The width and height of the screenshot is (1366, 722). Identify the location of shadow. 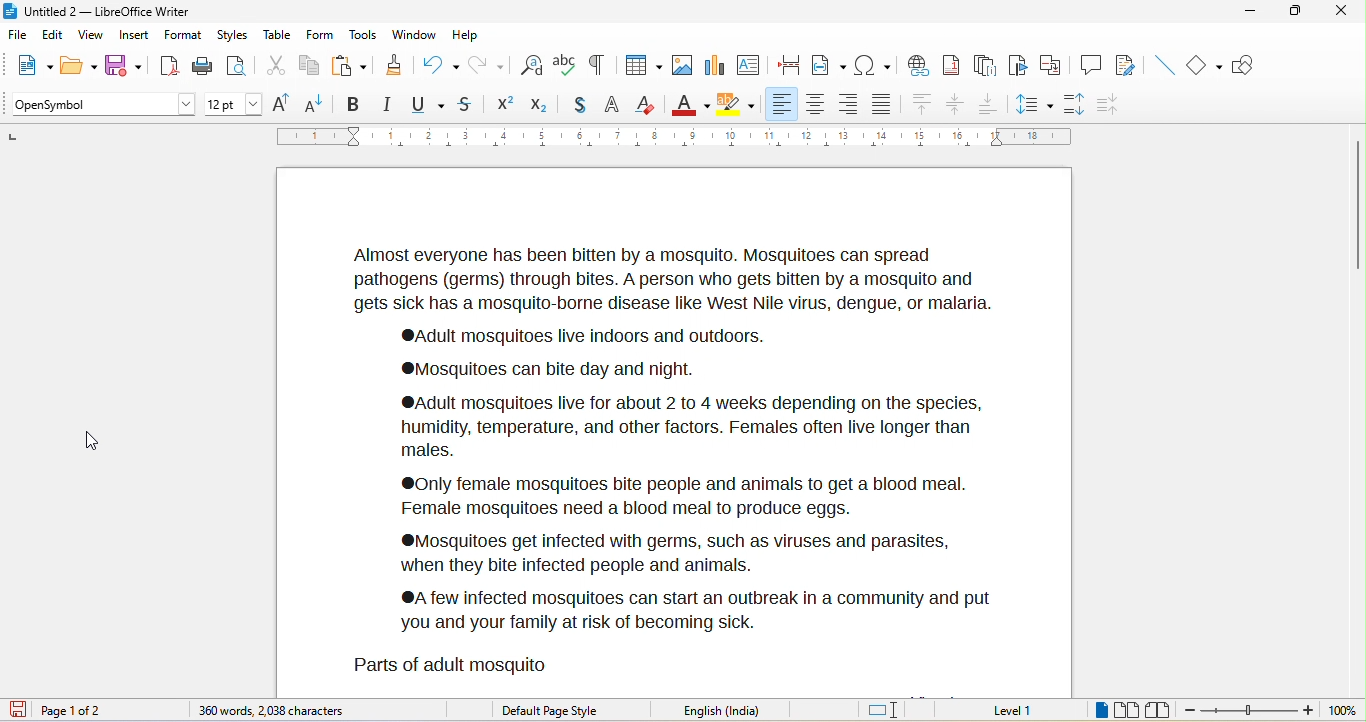
(576, 105).